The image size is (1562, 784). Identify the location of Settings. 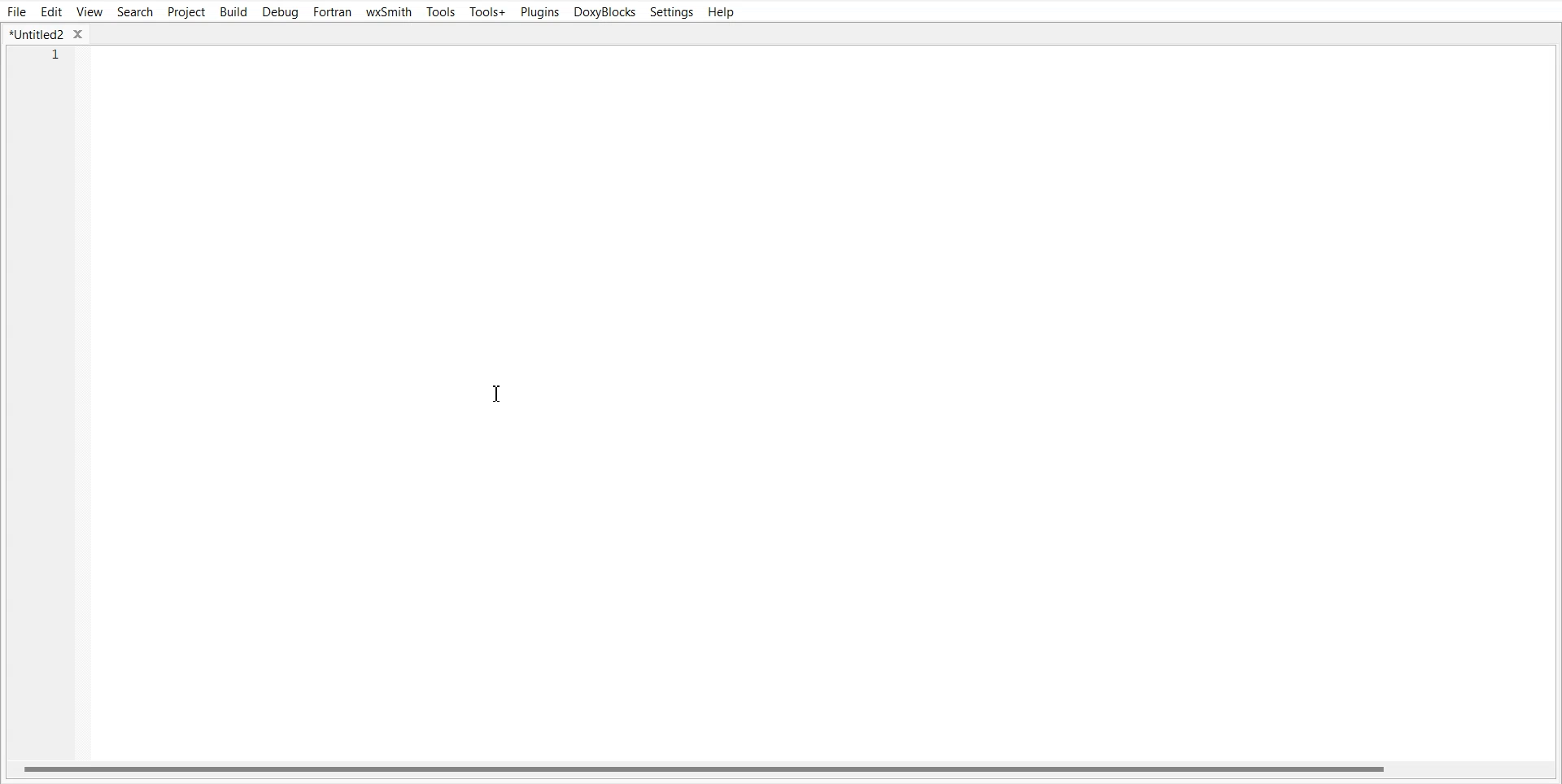
(671, 11).